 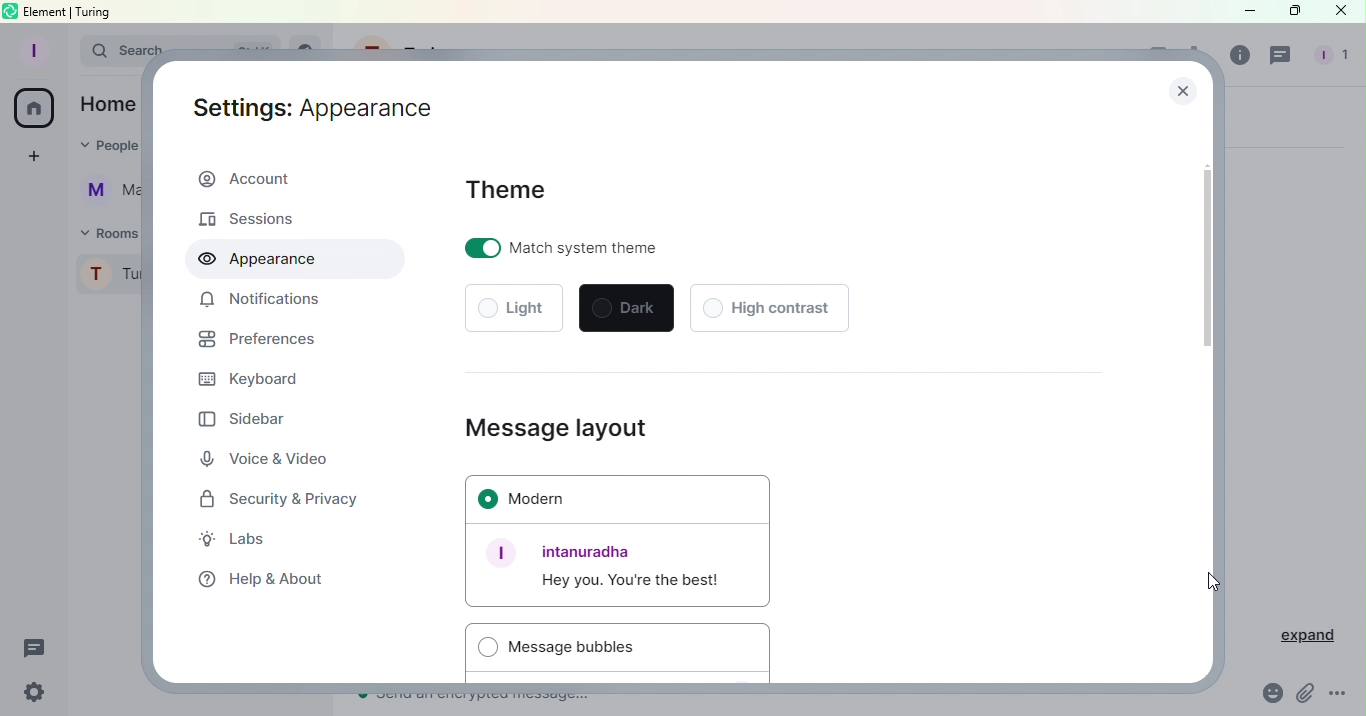 I want to click on Keyboard, so click(x=266, y=380).